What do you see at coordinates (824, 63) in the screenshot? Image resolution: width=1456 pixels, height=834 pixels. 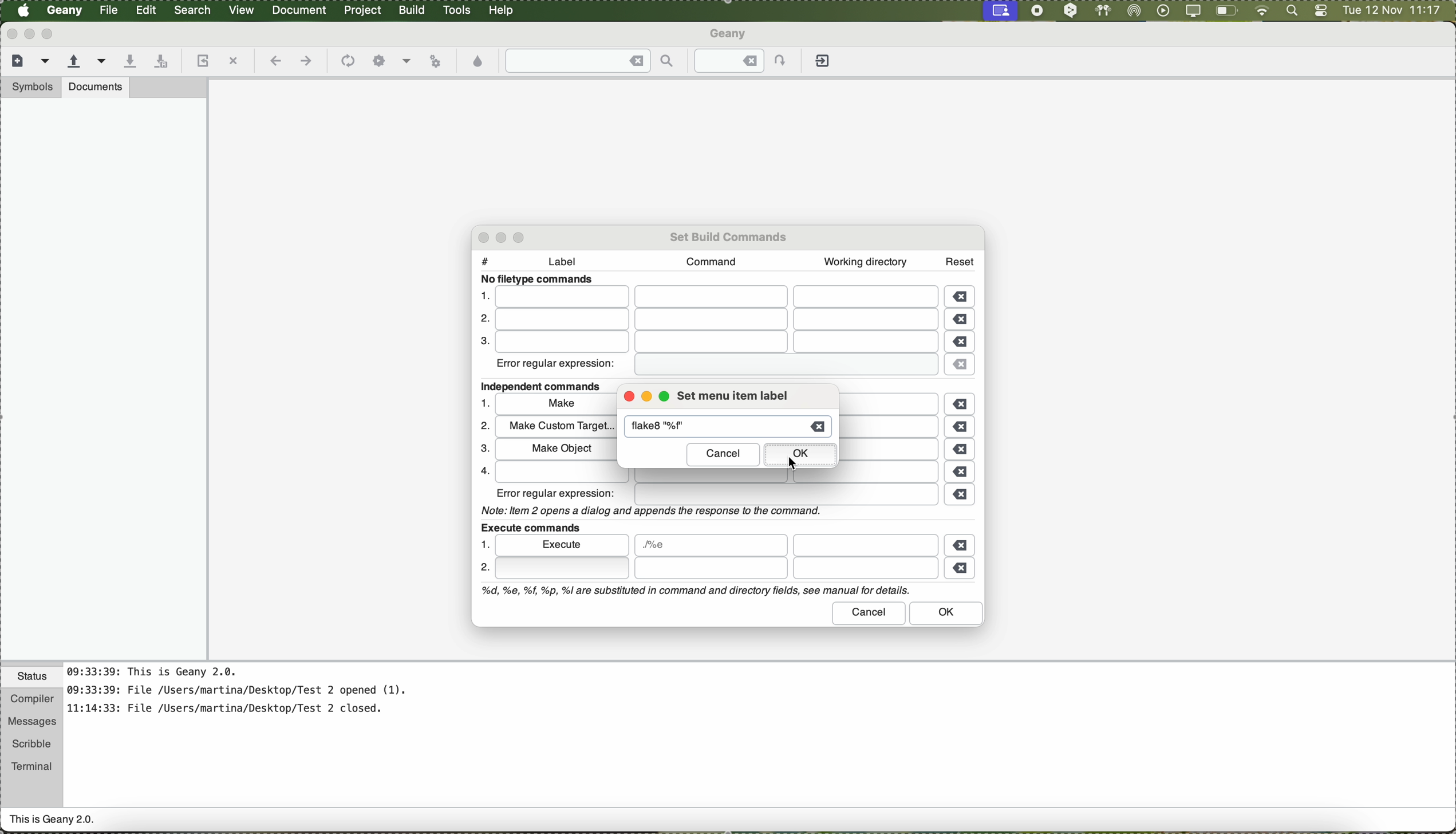 I see `quit Geany` at bounding box center [824, 63].